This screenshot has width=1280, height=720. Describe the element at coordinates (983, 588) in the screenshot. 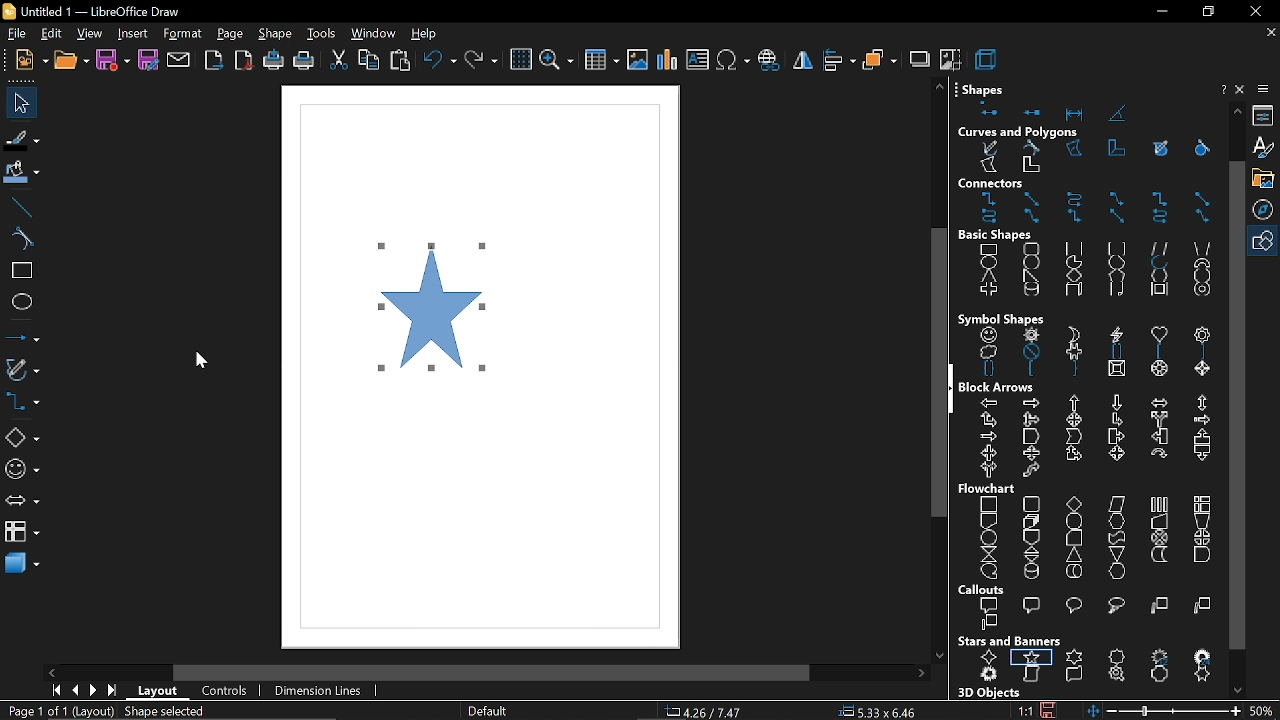

I see `callouts` at that location.